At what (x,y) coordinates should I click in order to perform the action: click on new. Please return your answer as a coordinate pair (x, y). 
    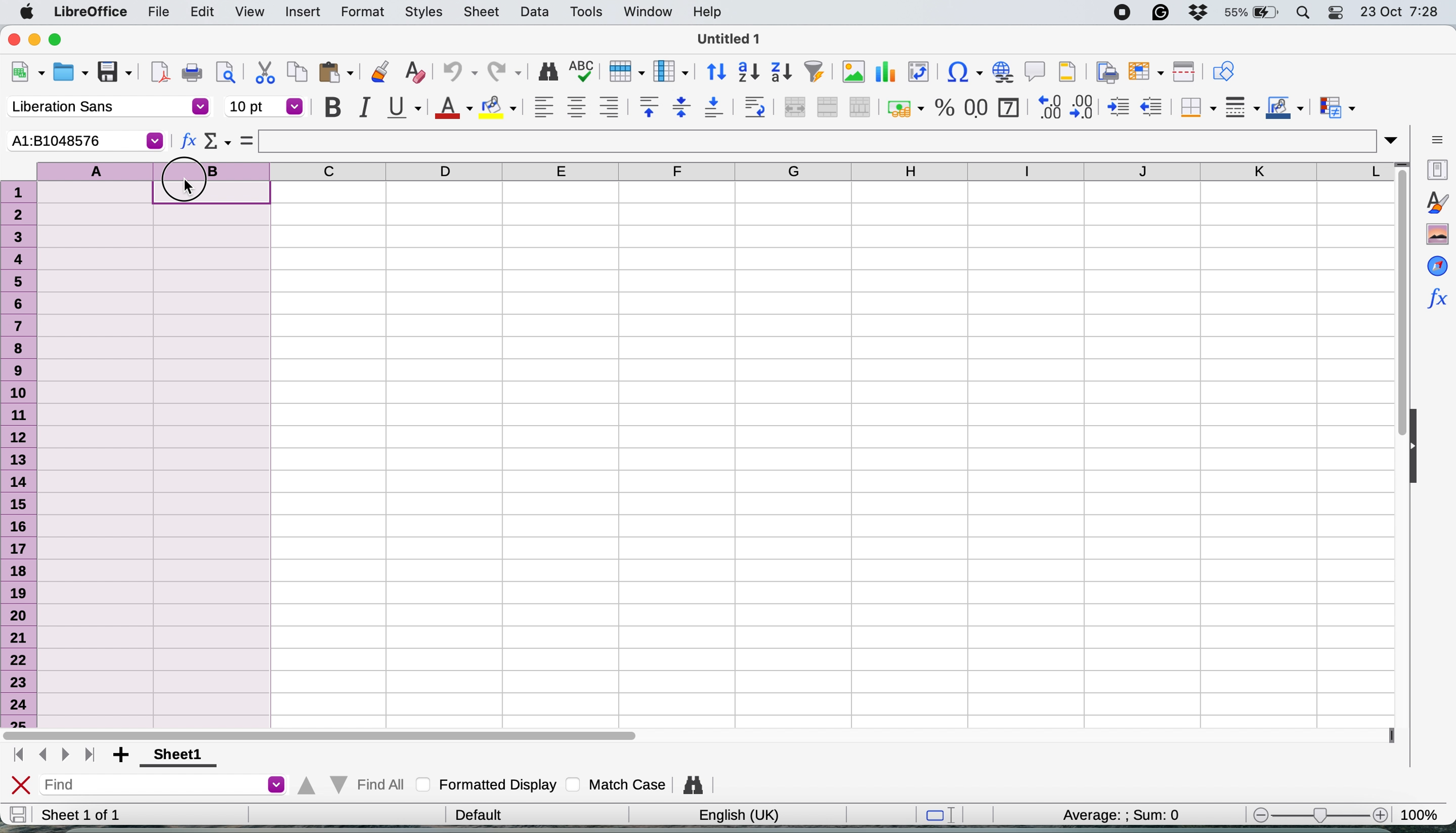
    Looking at the image, I should click on (26, 73).